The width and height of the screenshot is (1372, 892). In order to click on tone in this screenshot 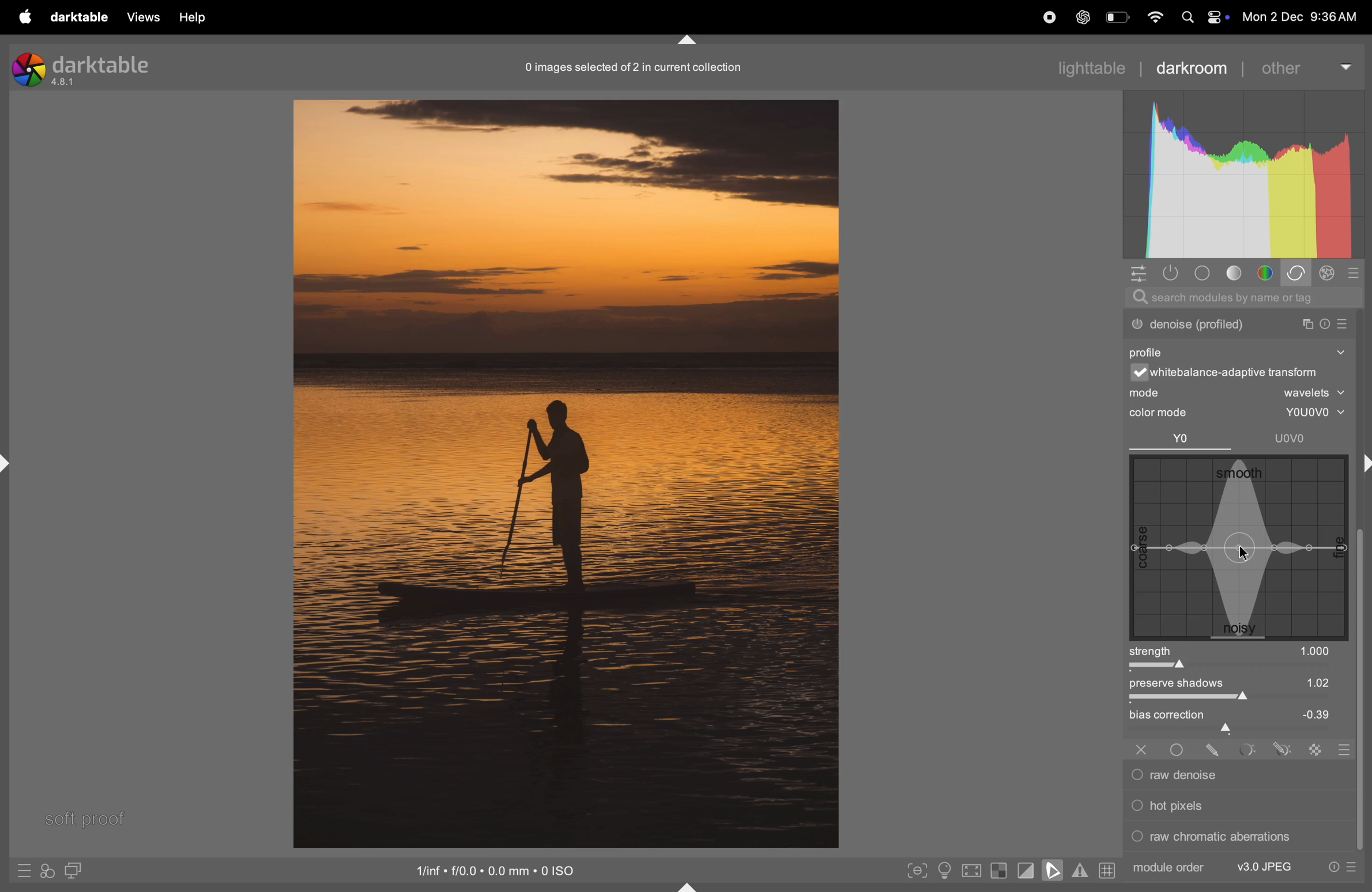, I will do `click(1235, 274)`.